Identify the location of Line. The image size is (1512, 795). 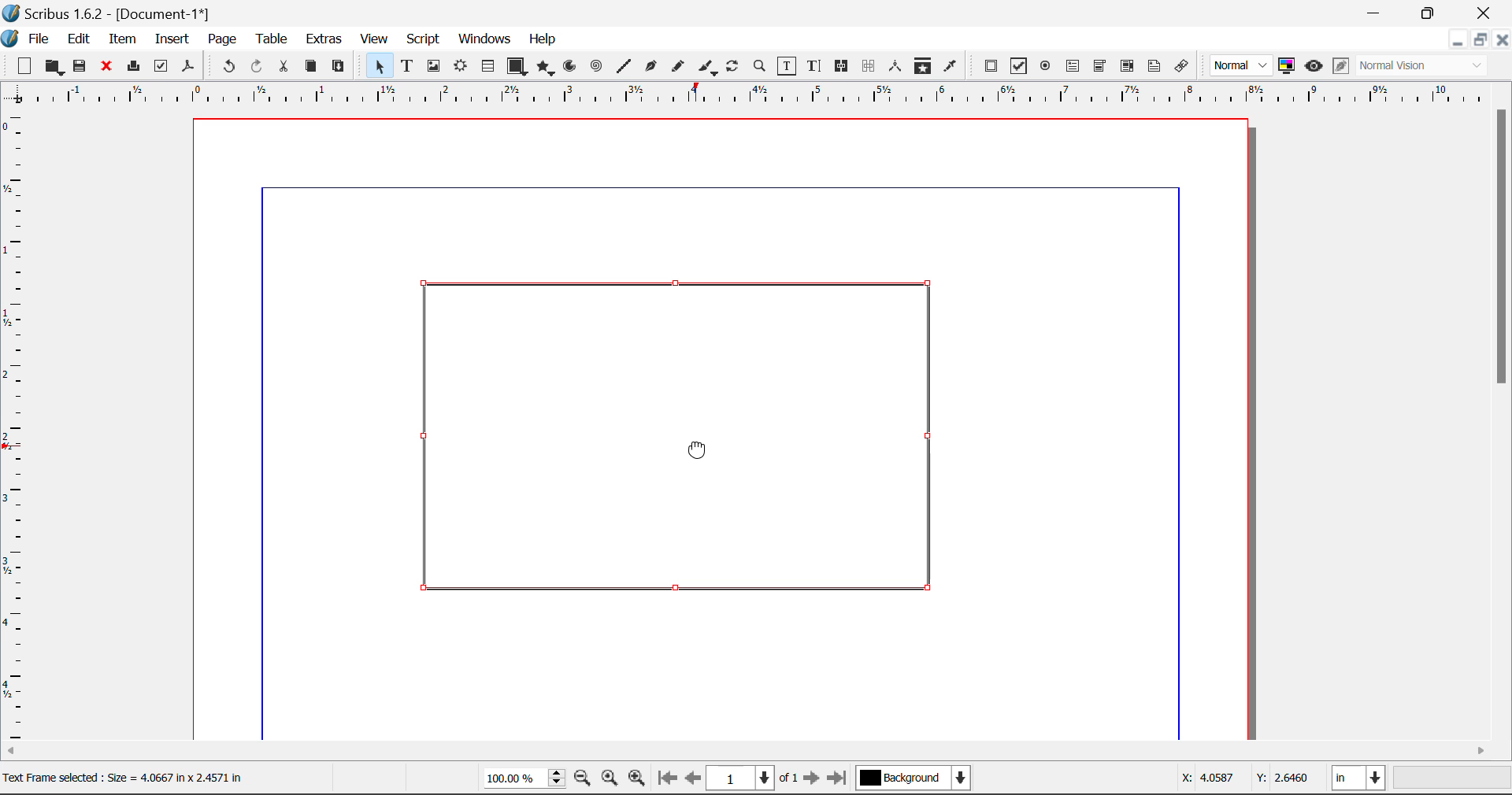
(624, 66).